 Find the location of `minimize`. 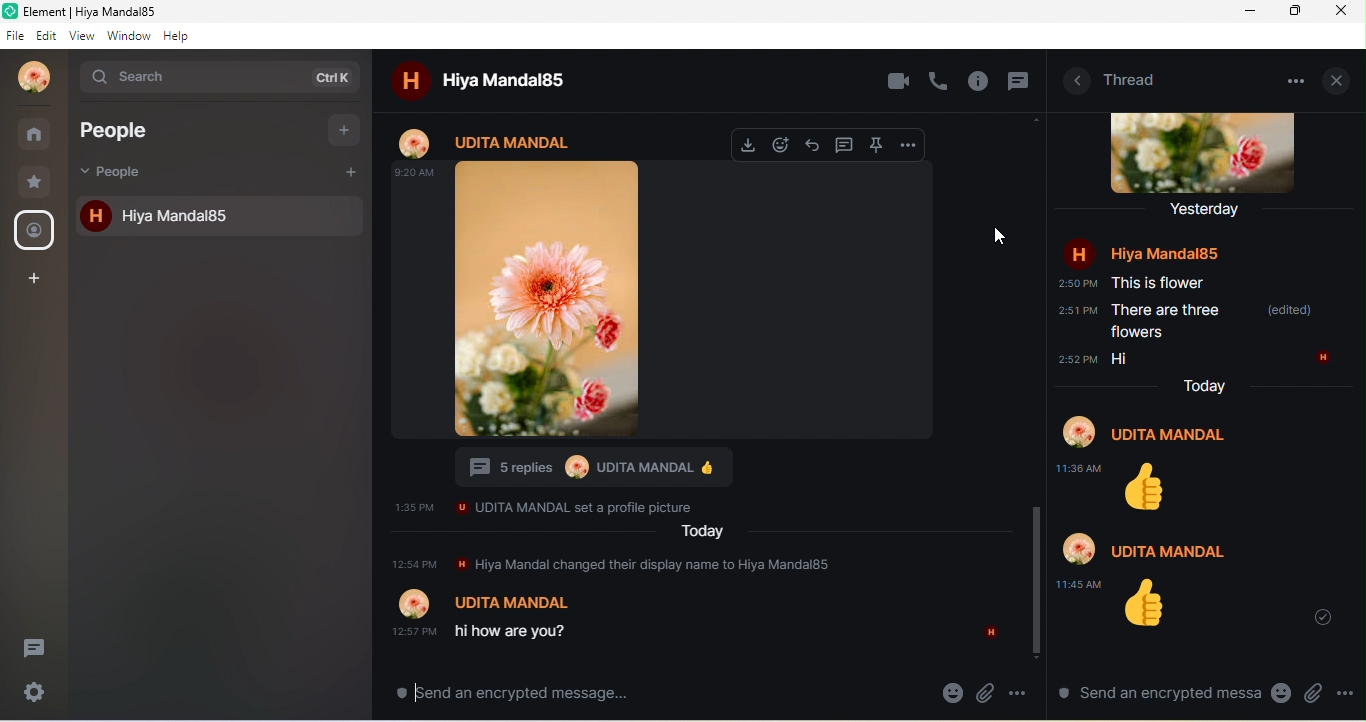

minimize is located at coordinates (1245, 13).